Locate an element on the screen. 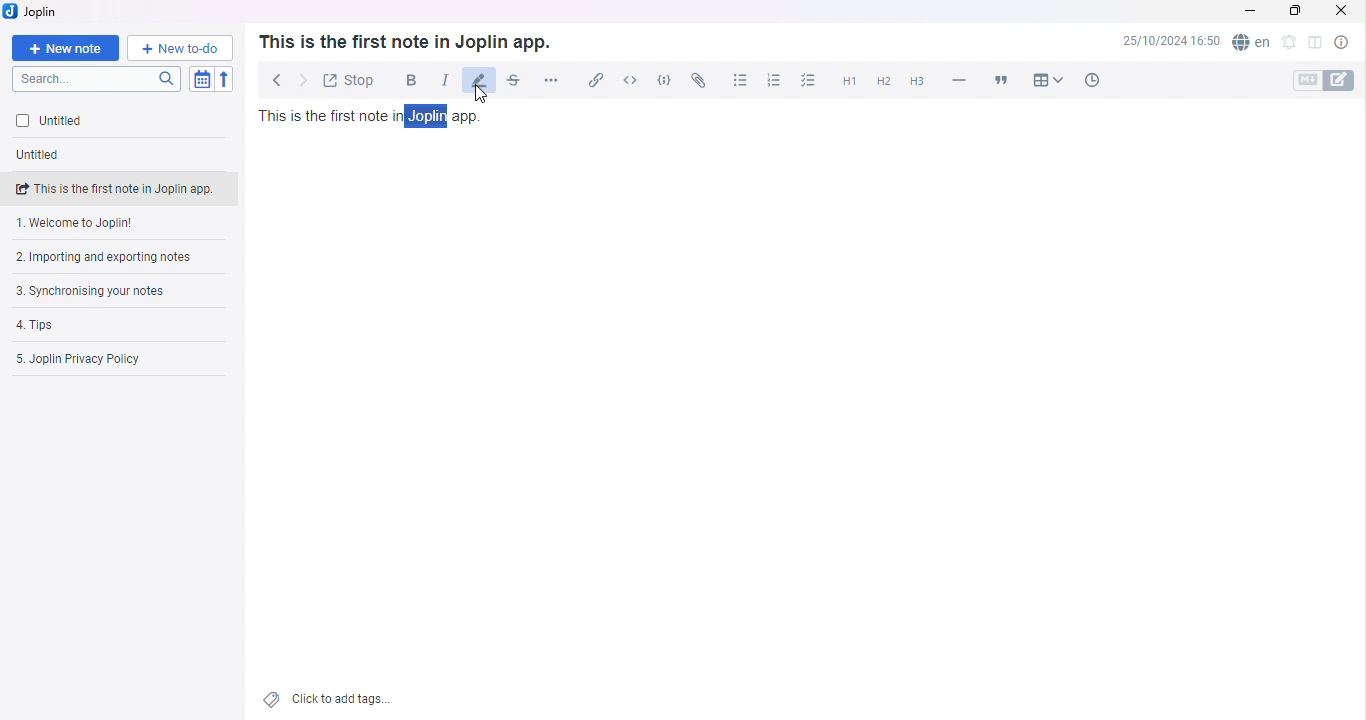 This screenshot has width=1366, height=720. Highlighted text is located at coordinates (430, 116).